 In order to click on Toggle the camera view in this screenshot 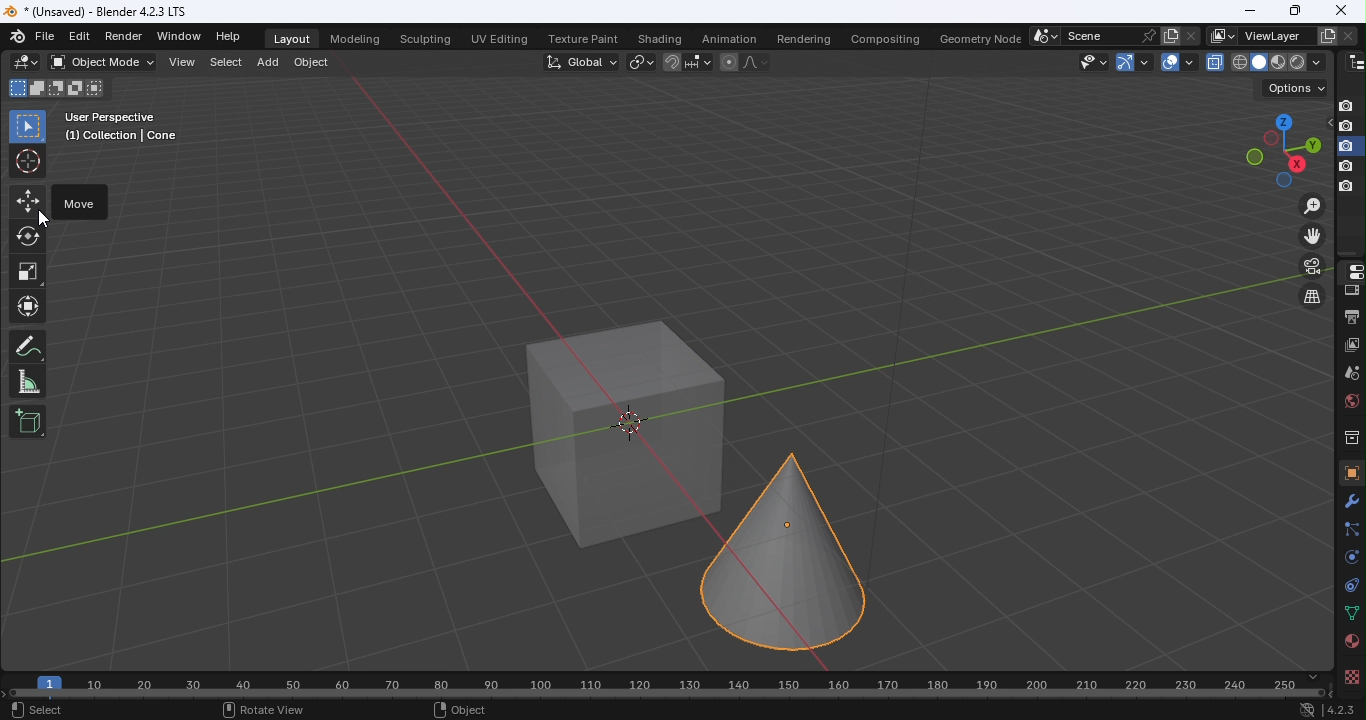, I will do `click(1314, 266)`.